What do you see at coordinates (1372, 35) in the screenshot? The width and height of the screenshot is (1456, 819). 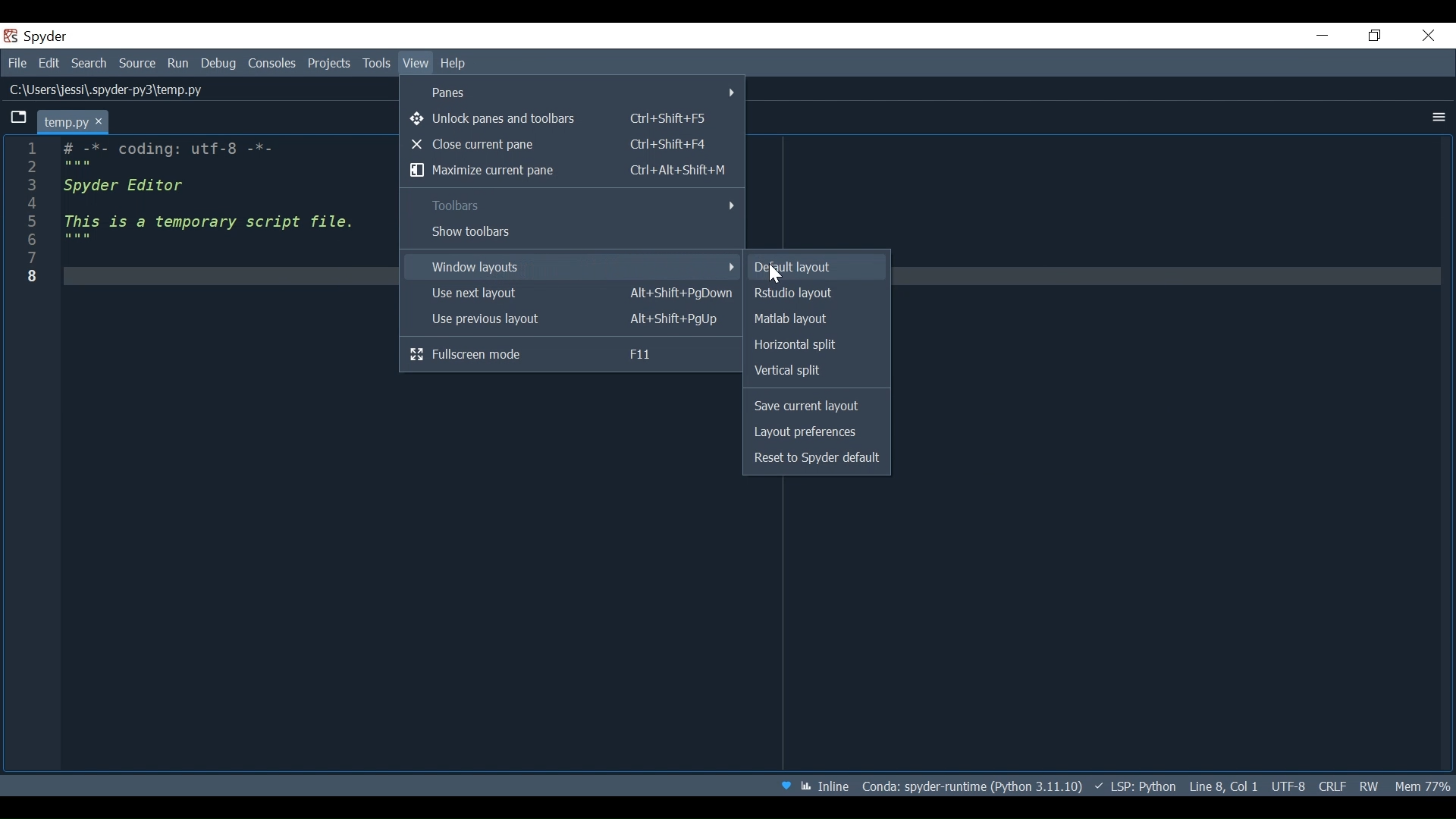 I see `Restore` at bounding box center [1372, 35].